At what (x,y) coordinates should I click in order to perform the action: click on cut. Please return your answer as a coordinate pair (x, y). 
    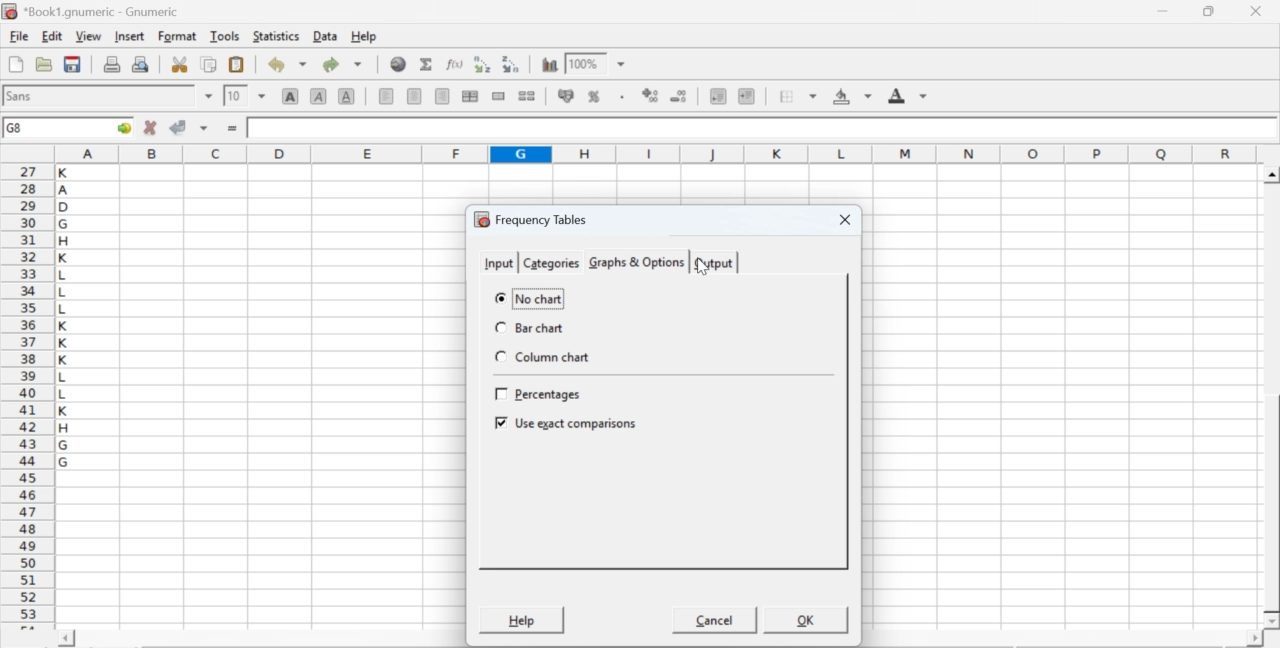
    Looking at the image, I should click on (179, 64).